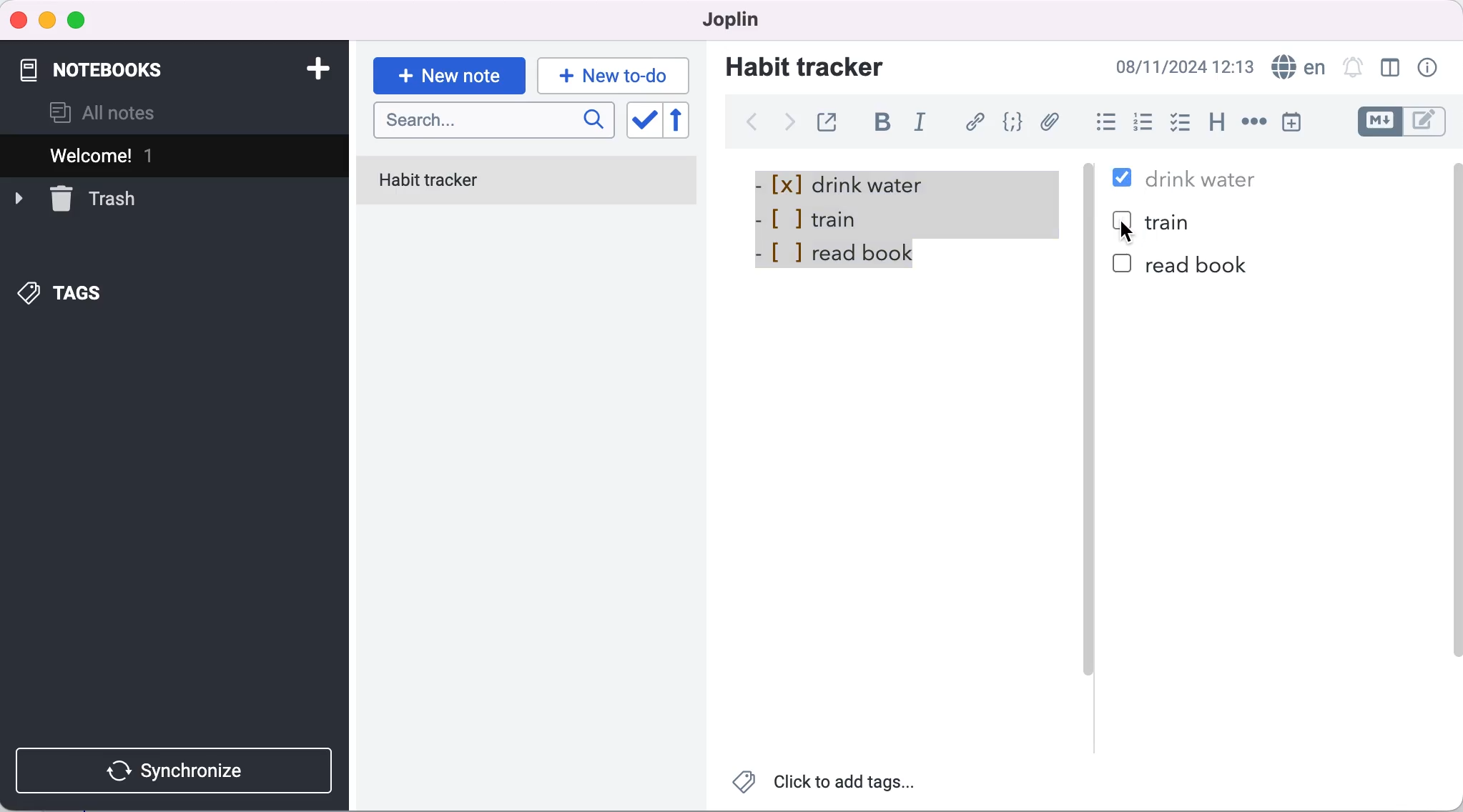  What do you see at coordinates (46, 21) in the screenshot?
I see `minimize` at bounding box center [46, 21].